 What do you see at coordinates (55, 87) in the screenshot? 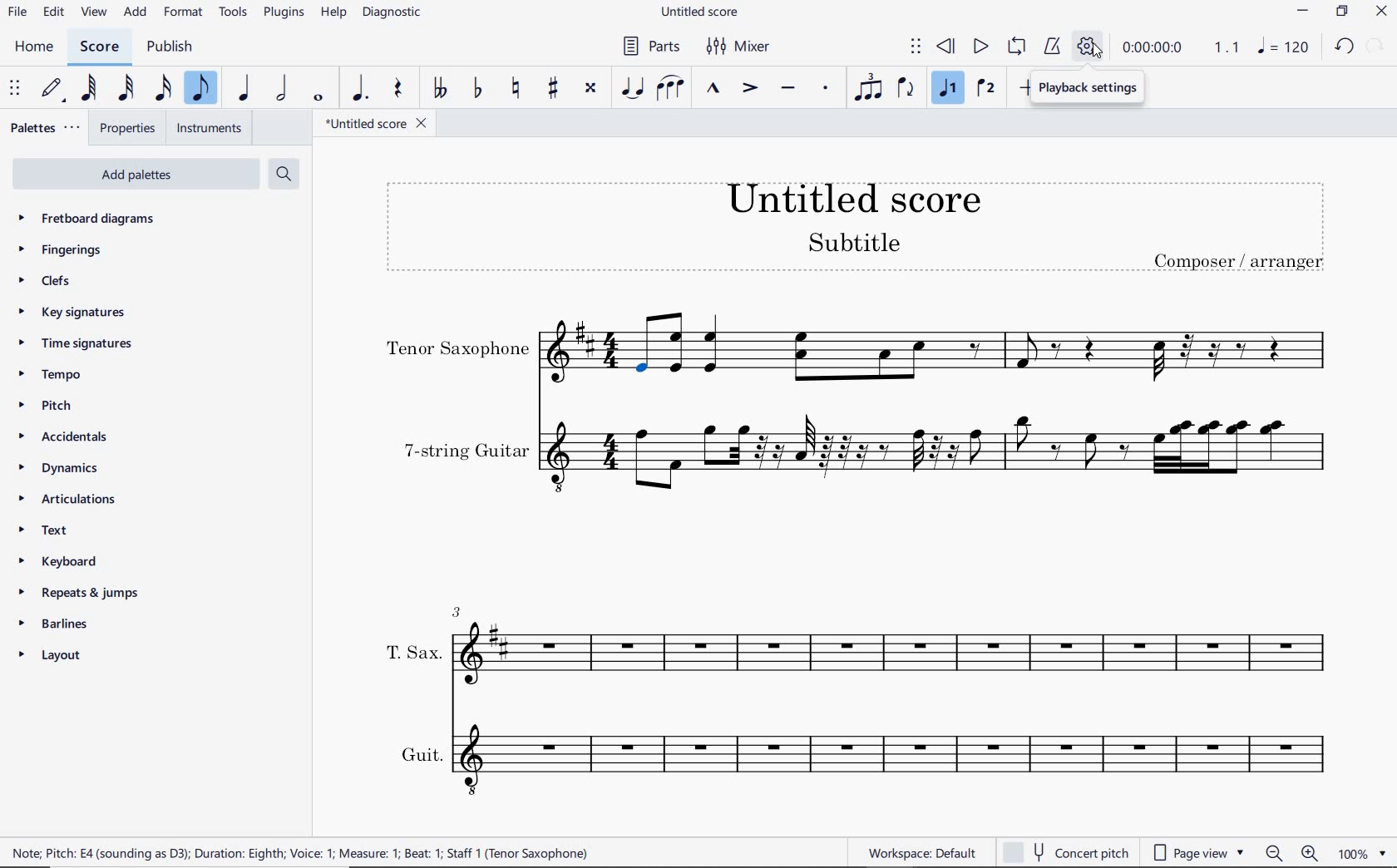
I see `DEFAULT (STEP TIME)` at bounding box center [55, 87].